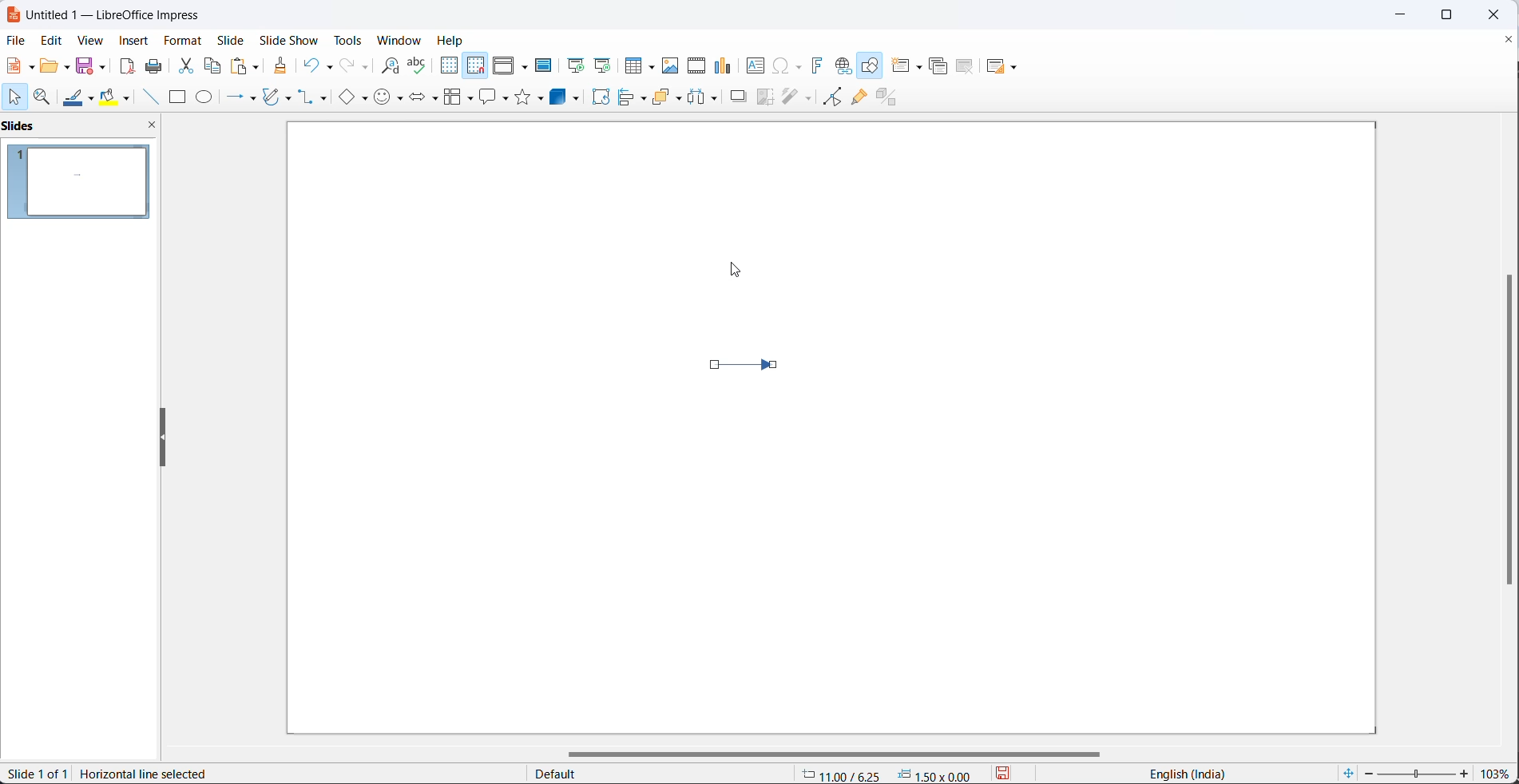 The height and width of the screenshot is (784, 1519). What do you see at coordinates (672, 66) in the screenshot?
I see `insert images` at bounding box center [672, 66].